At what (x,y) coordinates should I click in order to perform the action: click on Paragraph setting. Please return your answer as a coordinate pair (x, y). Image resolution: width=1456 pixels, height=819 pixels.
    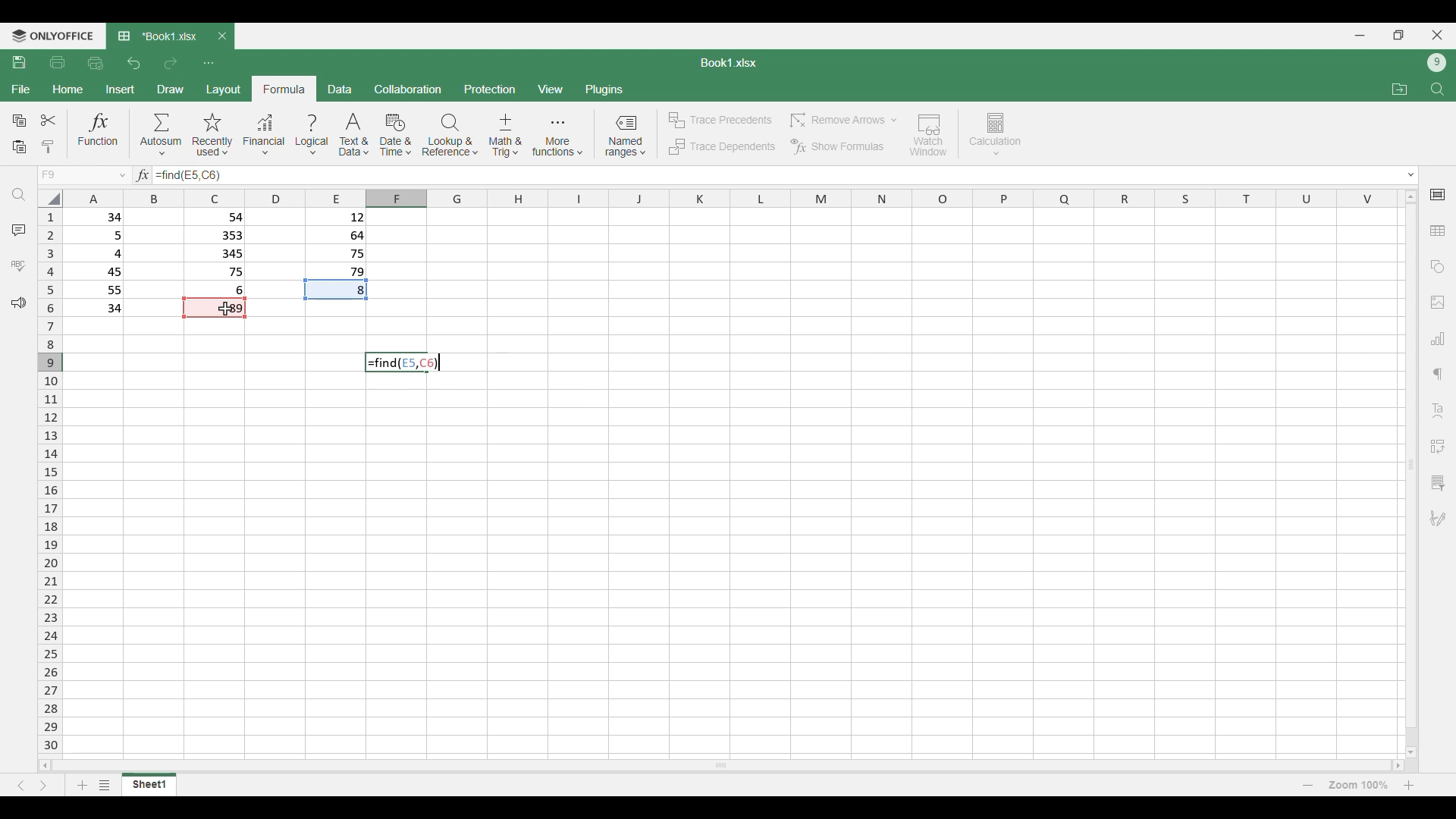
    Looking at the image, I should click on (1439, 375).